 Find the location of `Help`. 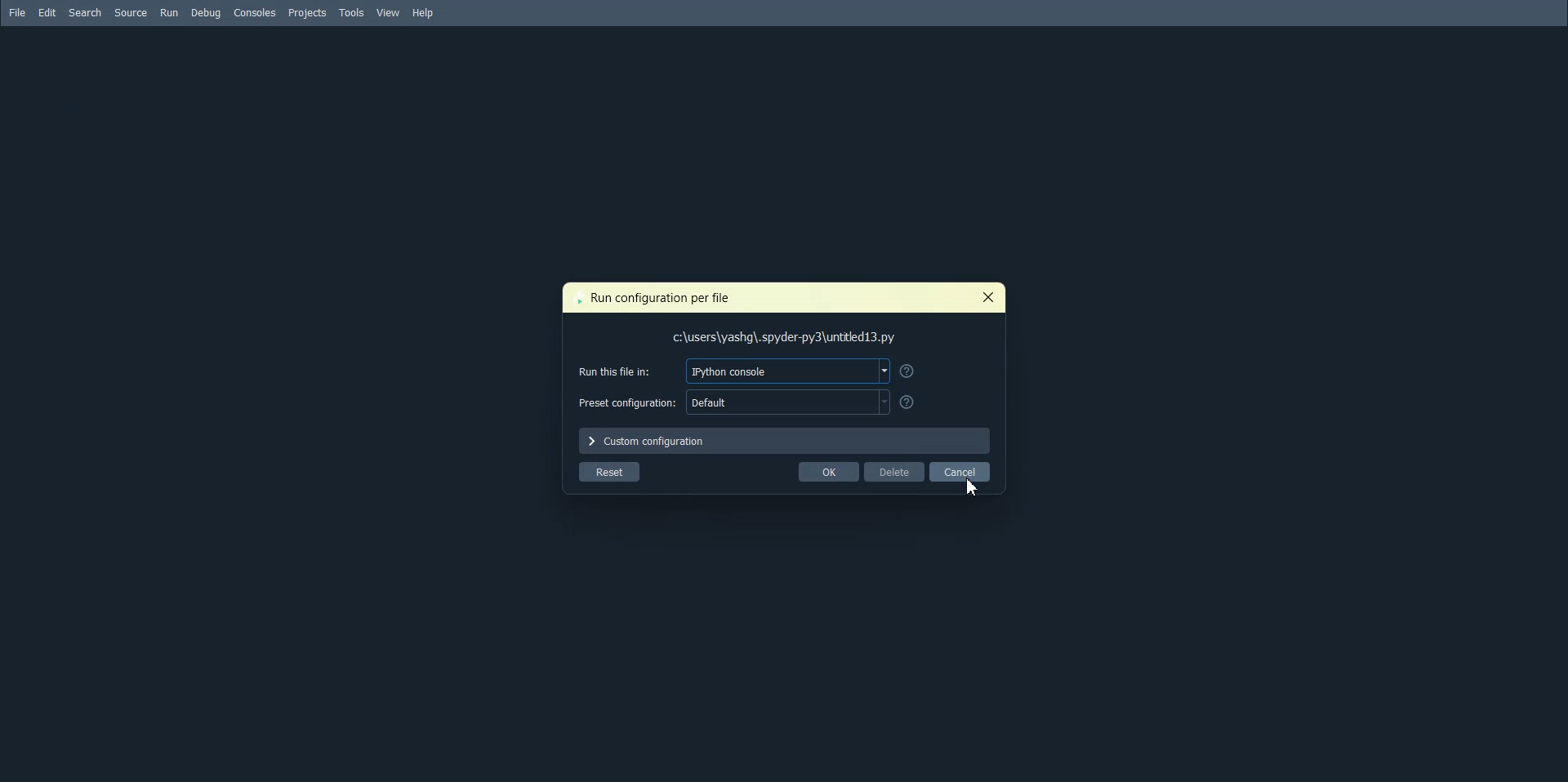

Help is located at coordinates (422, 13).